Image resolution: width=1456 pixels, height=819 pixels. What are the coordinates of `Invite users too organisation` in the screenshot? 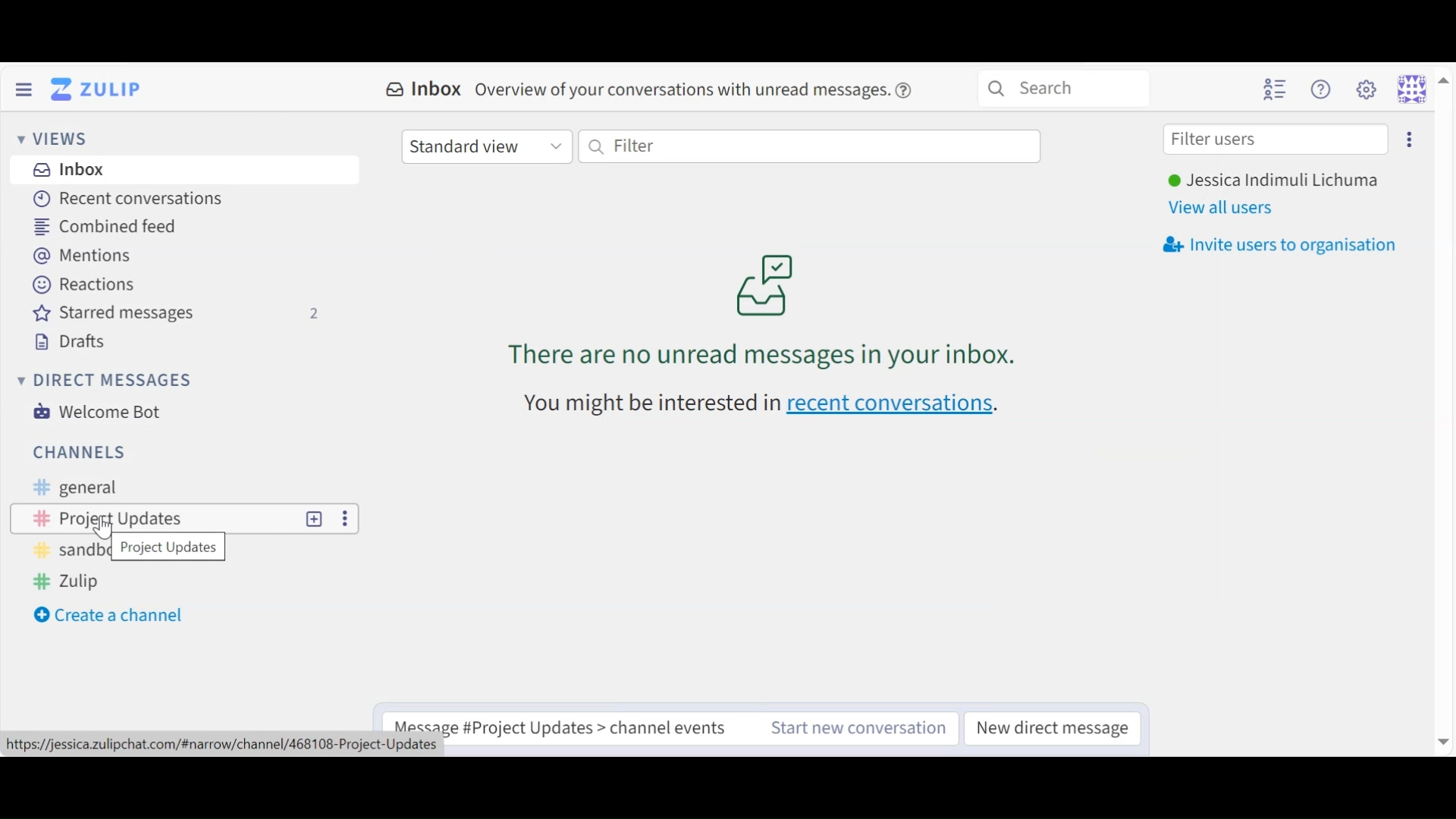 It's located at (1408, 138).